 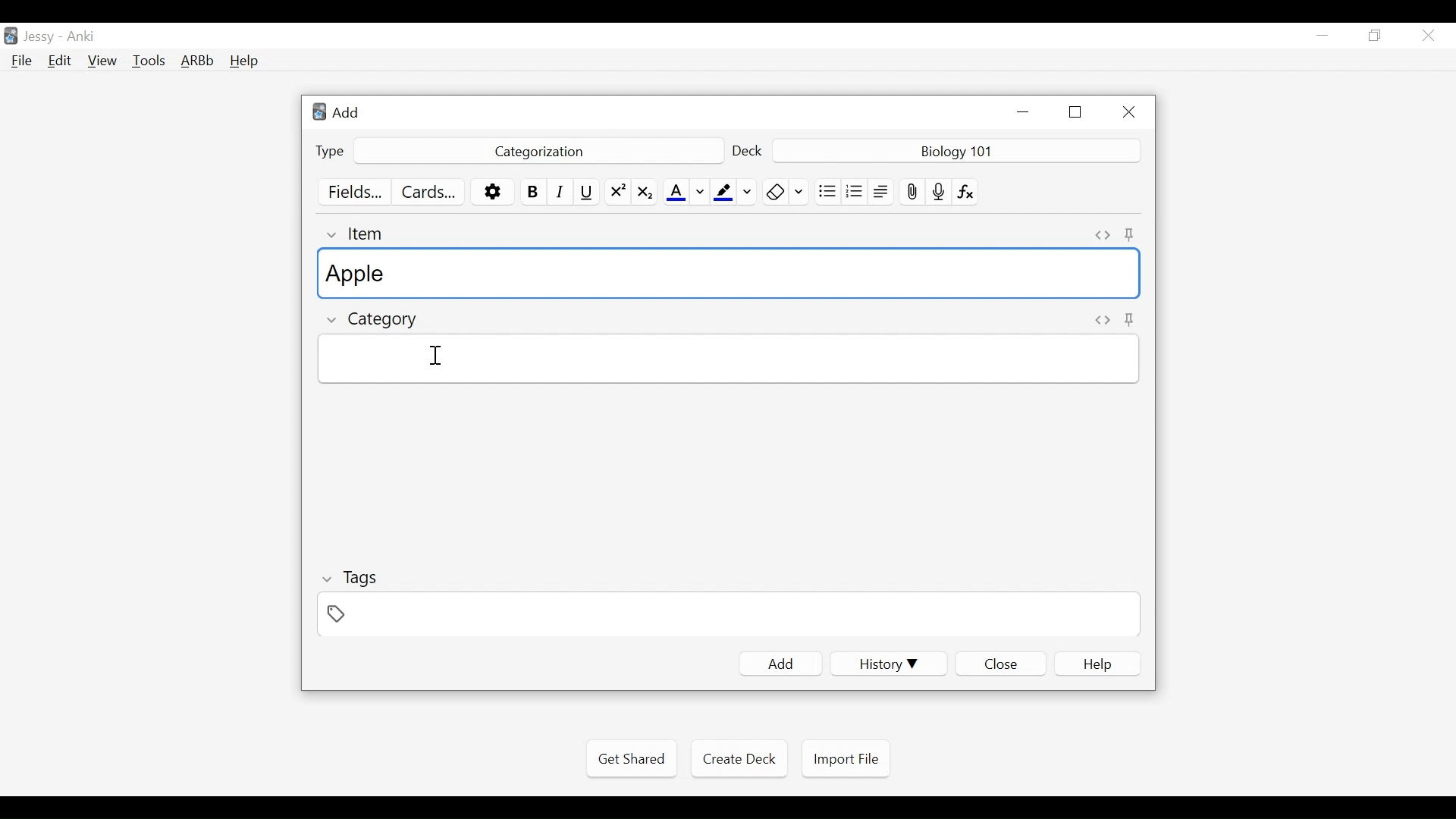 What do you see at coordinates (939, 191) in the screenshot?
I see `Record audio` at bounding box center [939, 191].